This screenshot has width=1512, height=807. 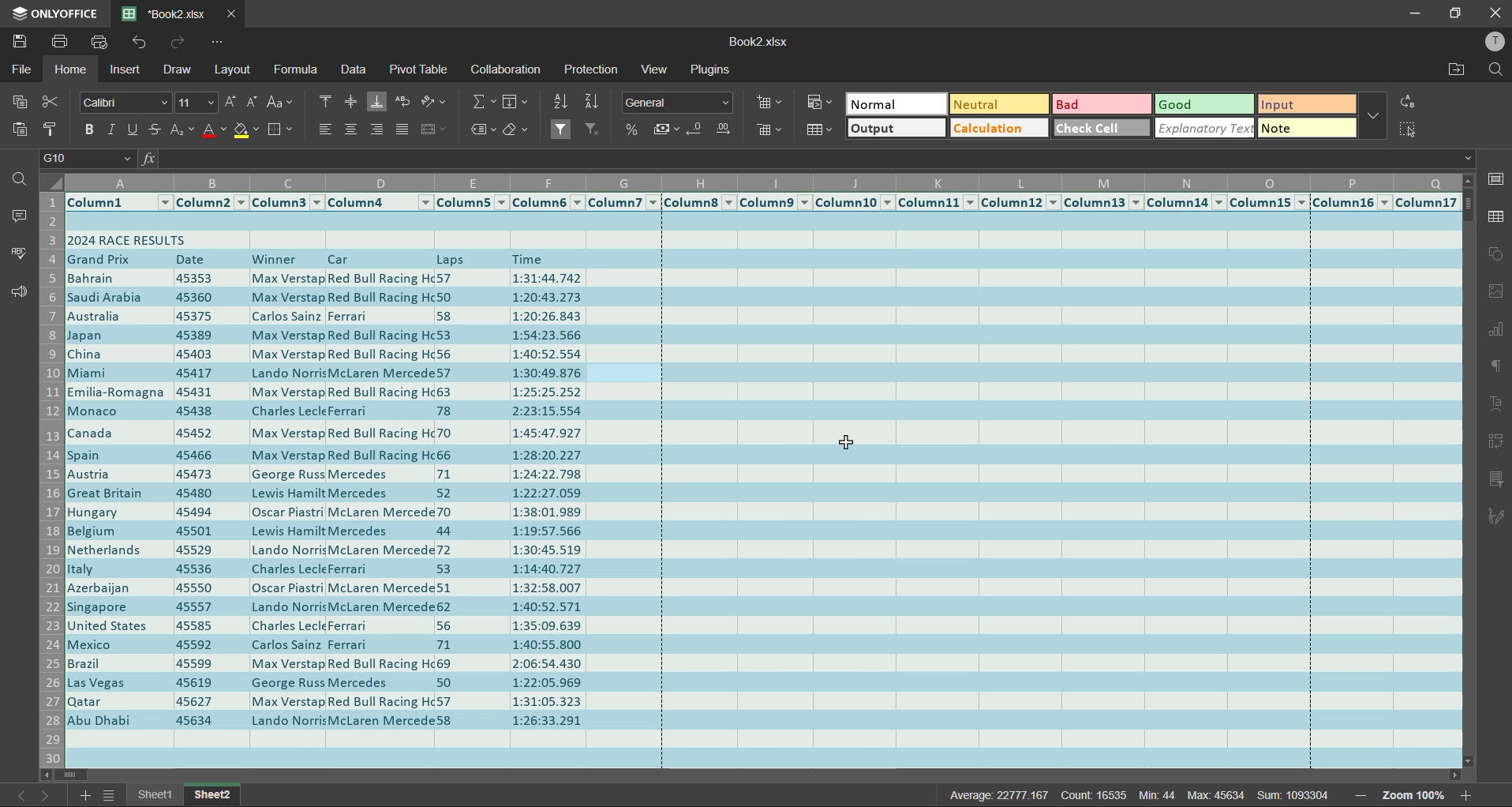 I want to click on percent, so click(x=634, y=129).